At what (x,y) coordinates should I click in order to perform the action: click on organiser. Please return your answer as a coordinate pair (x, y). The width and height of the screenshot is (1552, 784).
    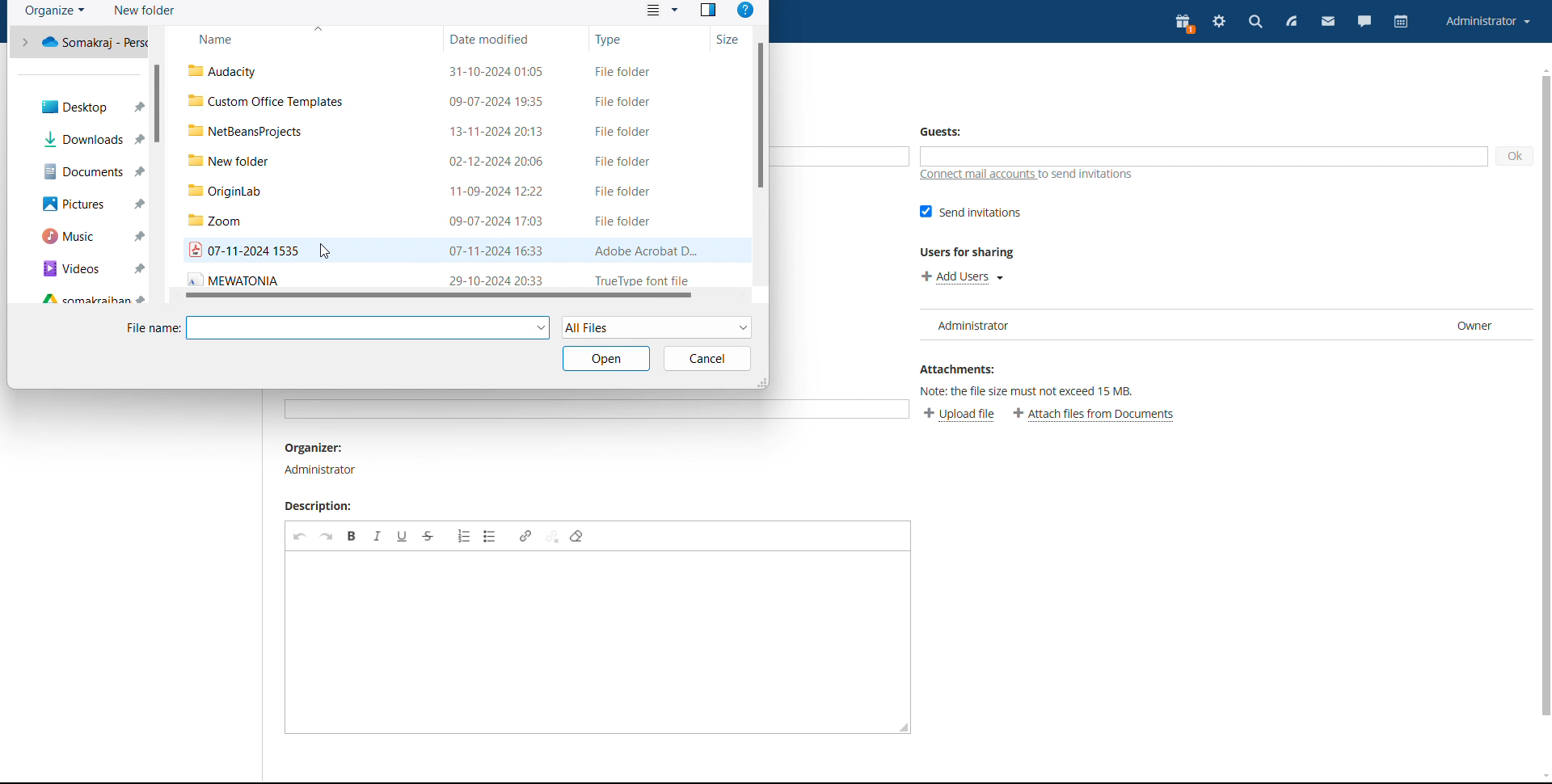
    Looking at the image, I should click on (322, 460).